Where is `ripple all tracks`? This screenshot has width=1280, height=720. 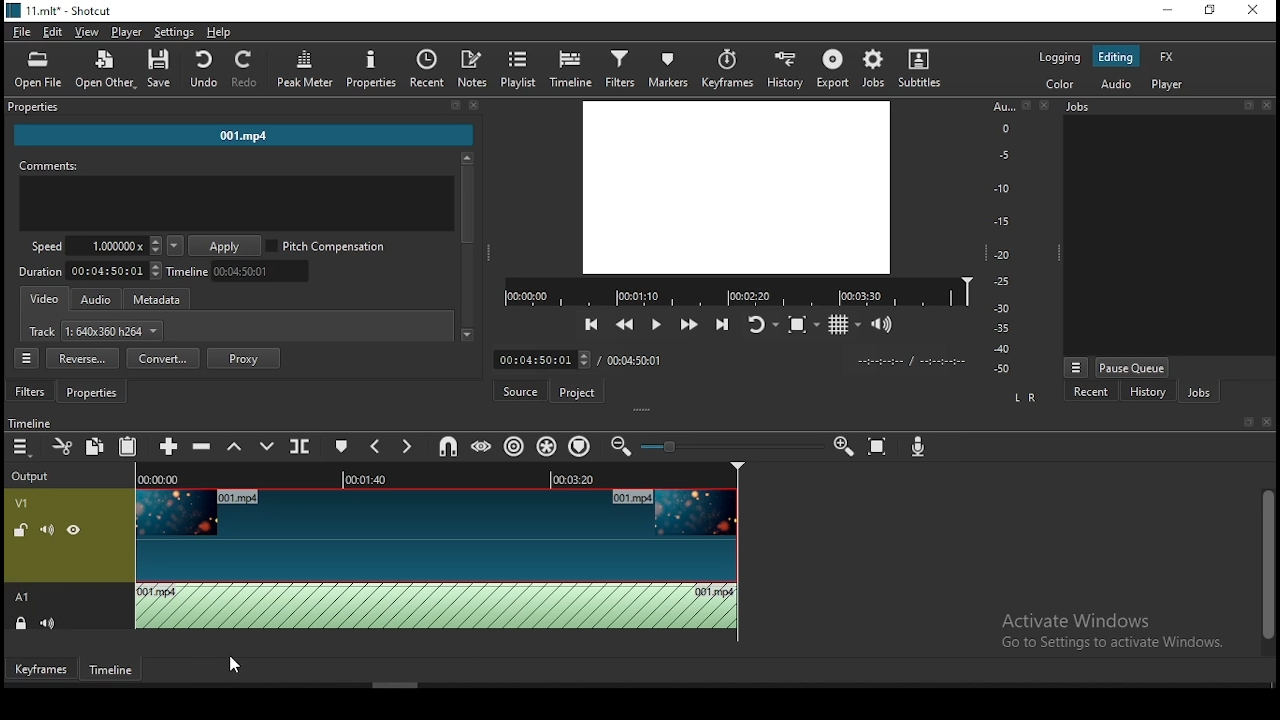
ripple all tracks is located at coordinates (549, 446).